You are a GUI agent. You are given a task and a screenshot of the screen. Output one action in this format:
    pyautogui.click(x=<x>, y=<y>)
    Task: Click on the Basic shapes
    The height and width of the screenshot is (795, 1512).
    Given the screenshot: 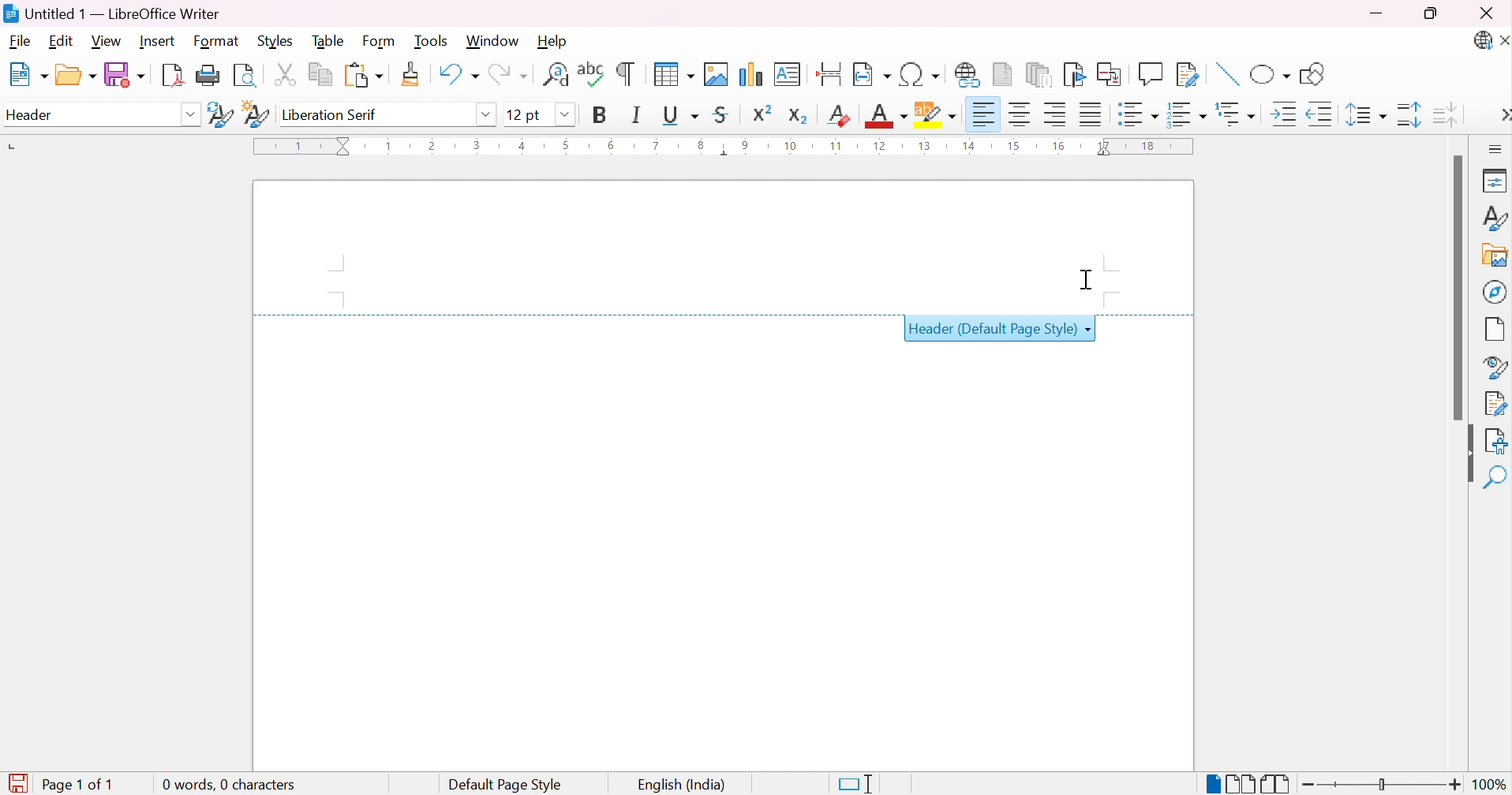 What is the action you would take?
    pyautogui.click(x=1271, y=76)
    